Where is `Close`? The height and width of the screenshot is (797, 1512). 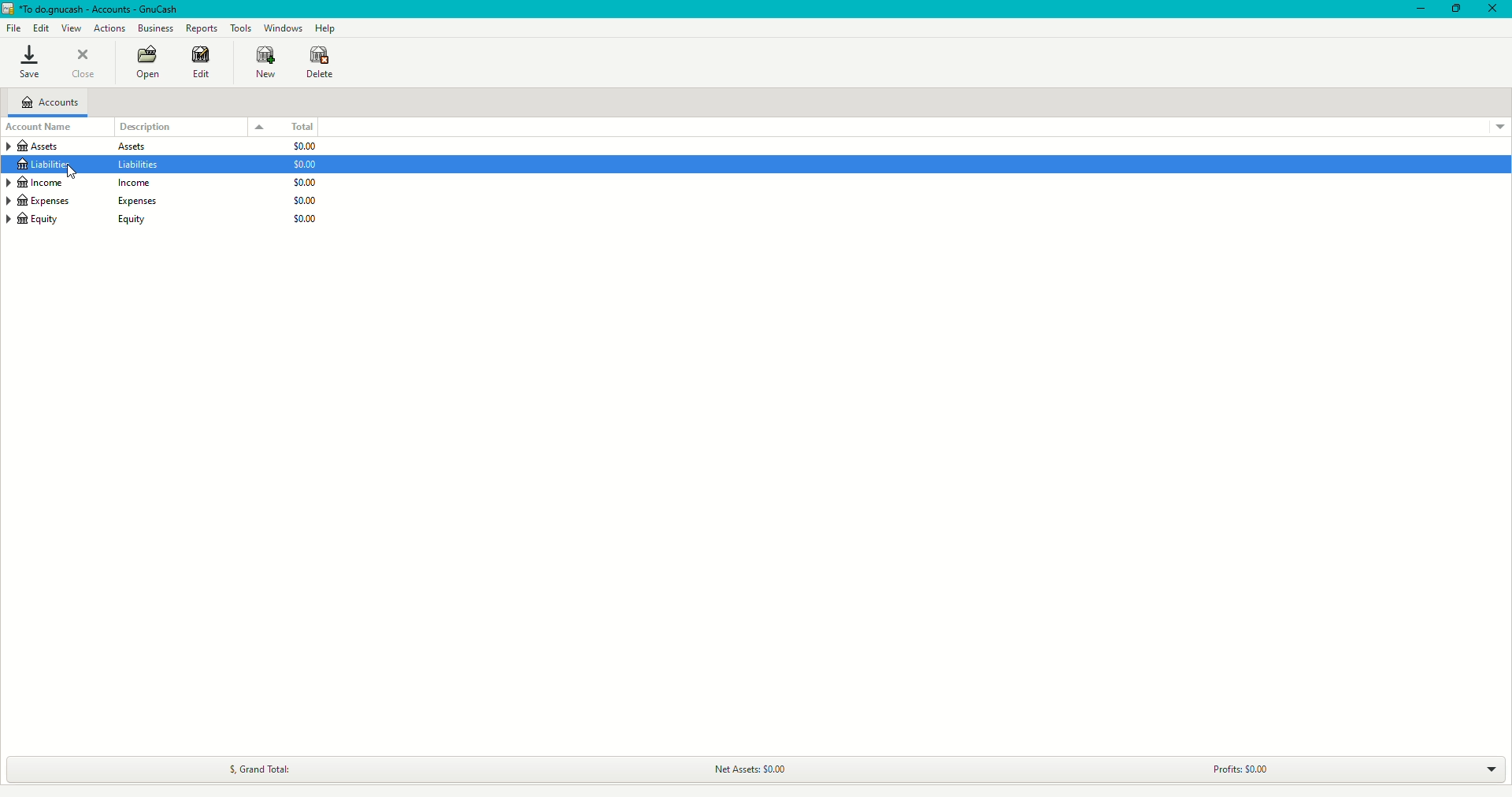 Close is located at coordinates (87, 64).